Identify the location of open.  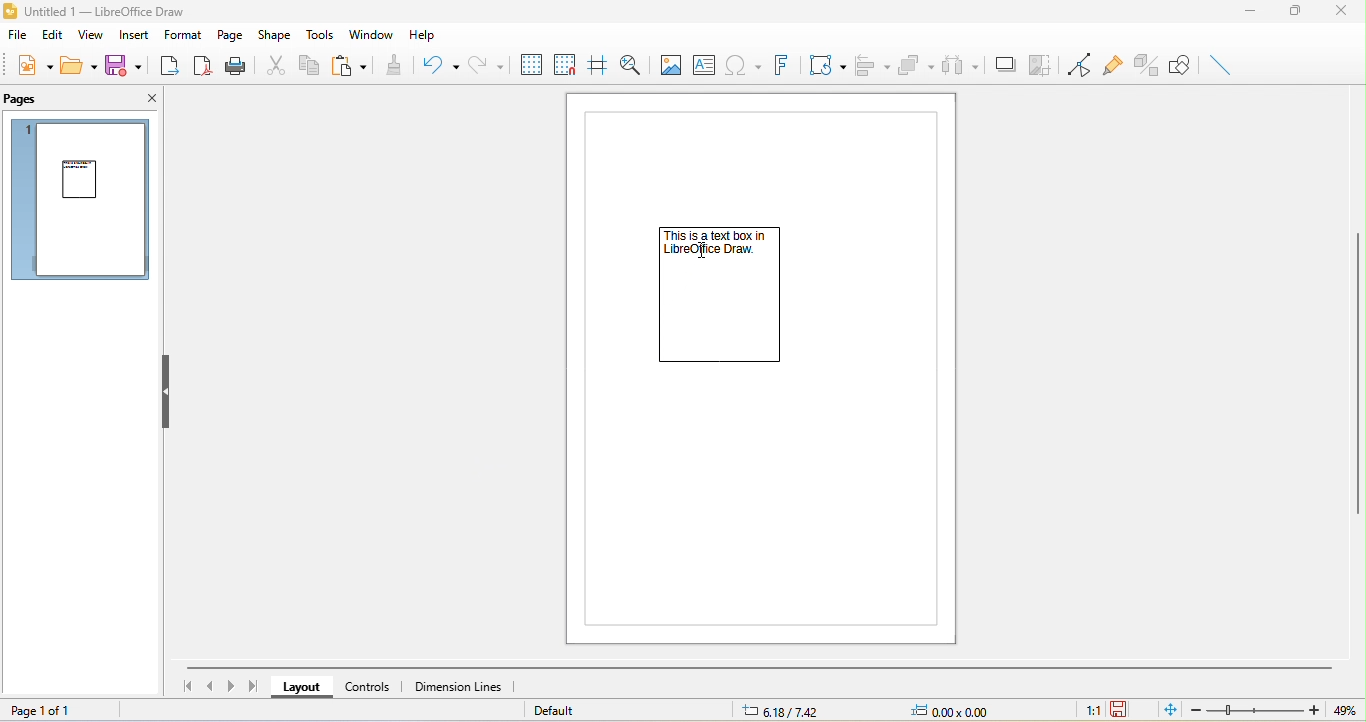
(78, 65).